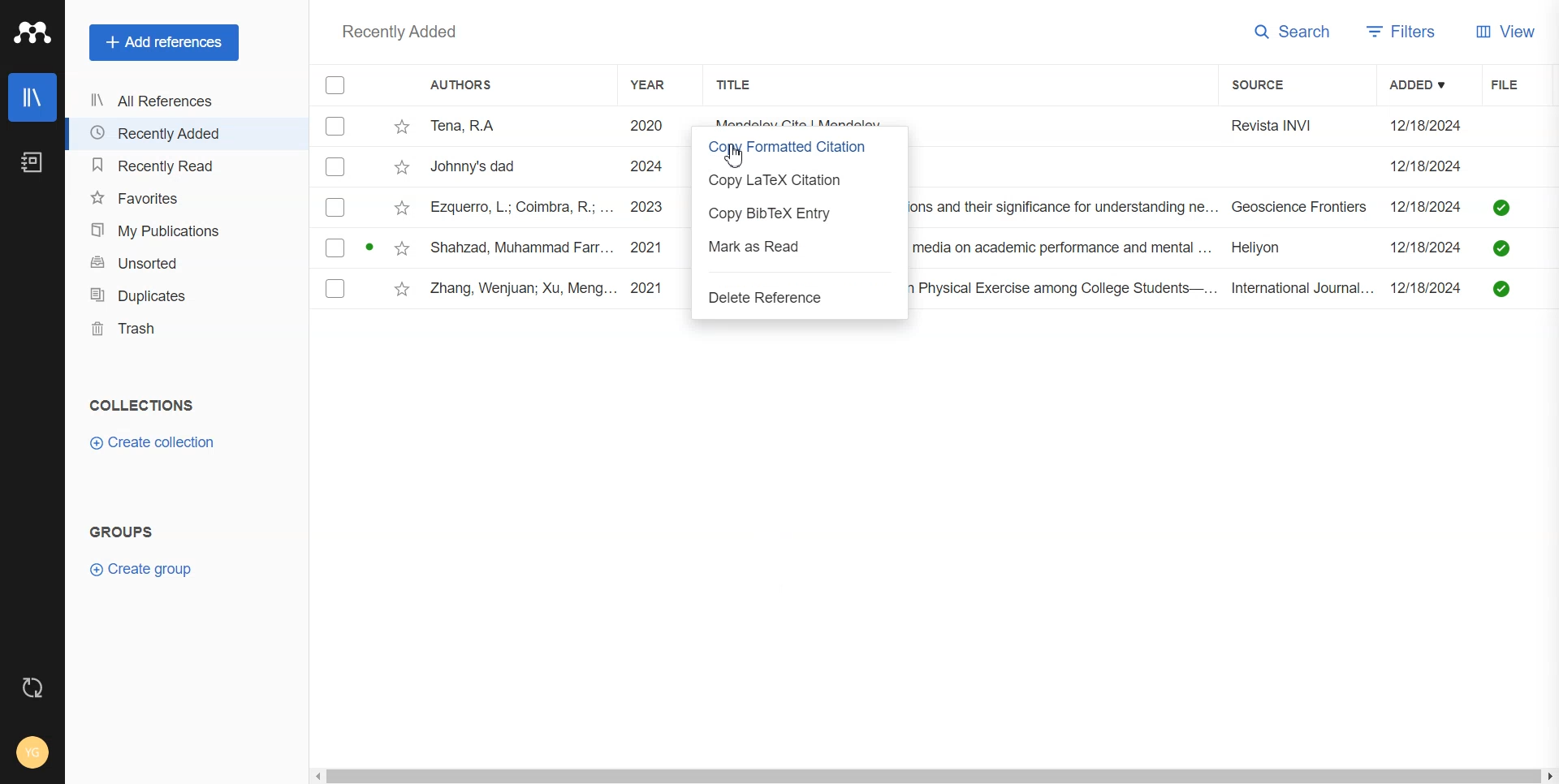  Describe the element at coordinates (934, 777) in the screenshot. I see `Horizontal scroll bar` at that location.